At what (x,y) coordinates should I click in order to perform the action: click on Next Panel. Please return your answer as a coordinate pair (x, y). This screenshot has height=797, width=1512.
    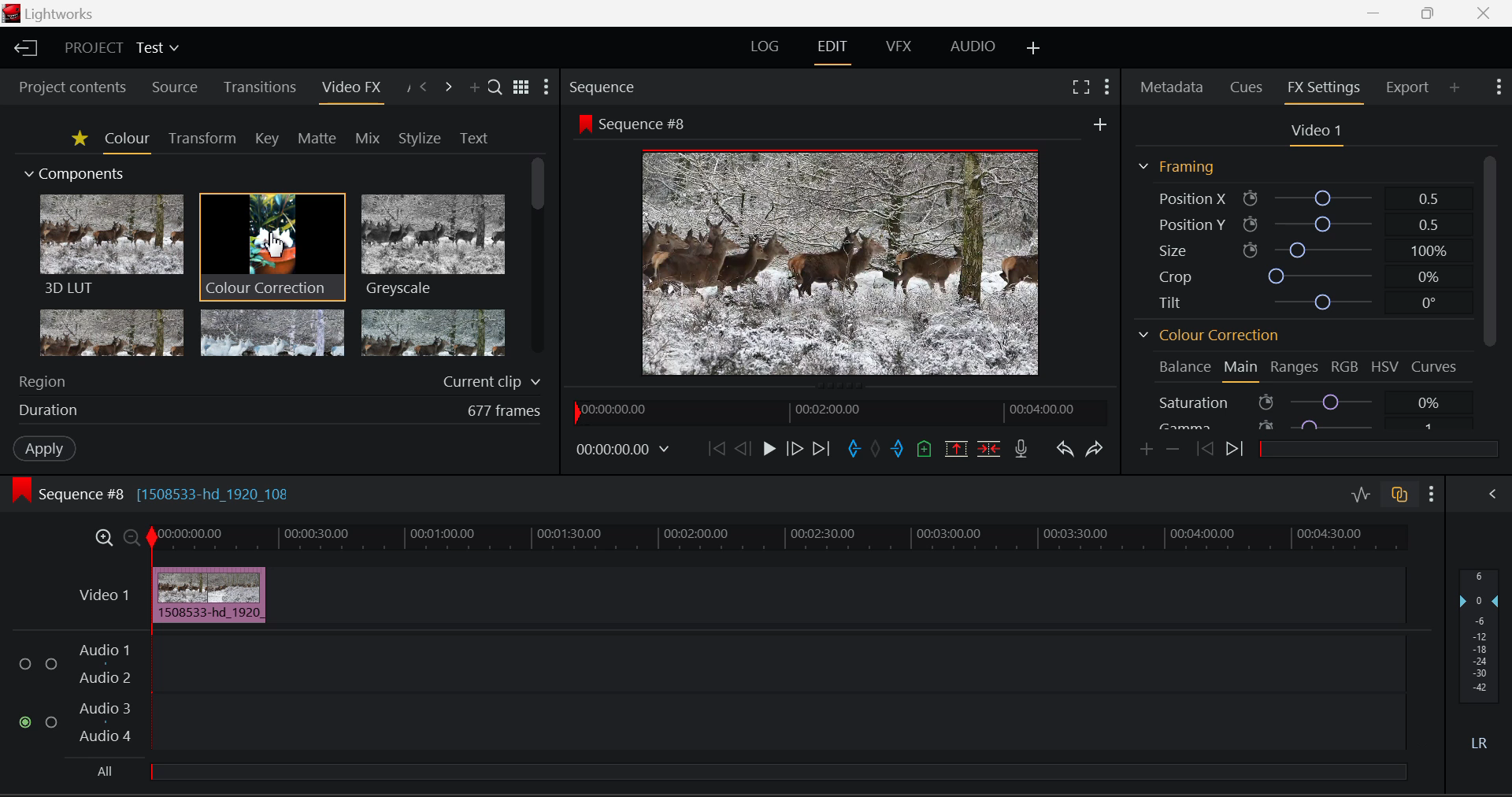
    Looking at the image, I should click on (448, 86).